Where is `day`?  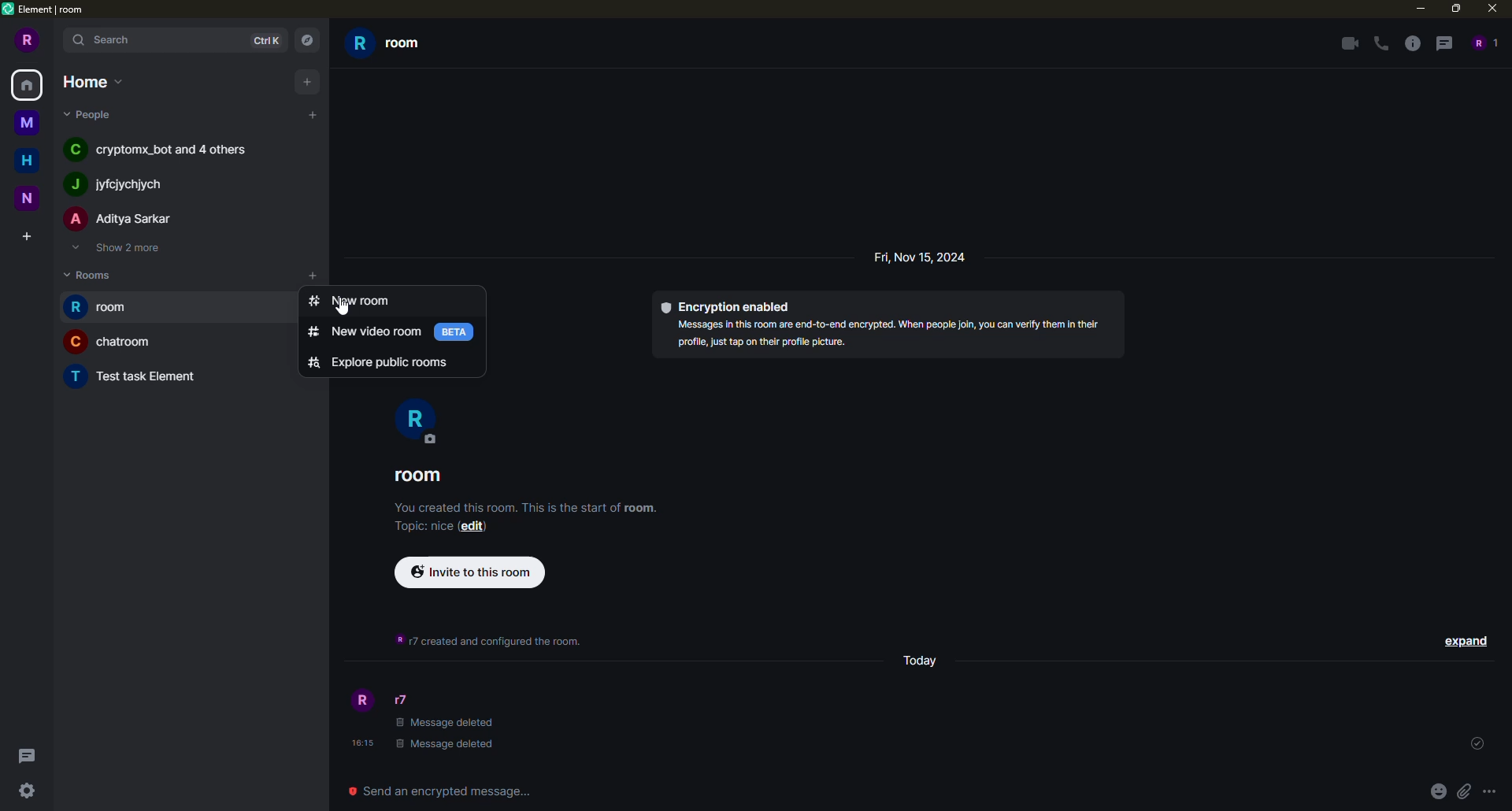
day is located at coordinates (915, 655).